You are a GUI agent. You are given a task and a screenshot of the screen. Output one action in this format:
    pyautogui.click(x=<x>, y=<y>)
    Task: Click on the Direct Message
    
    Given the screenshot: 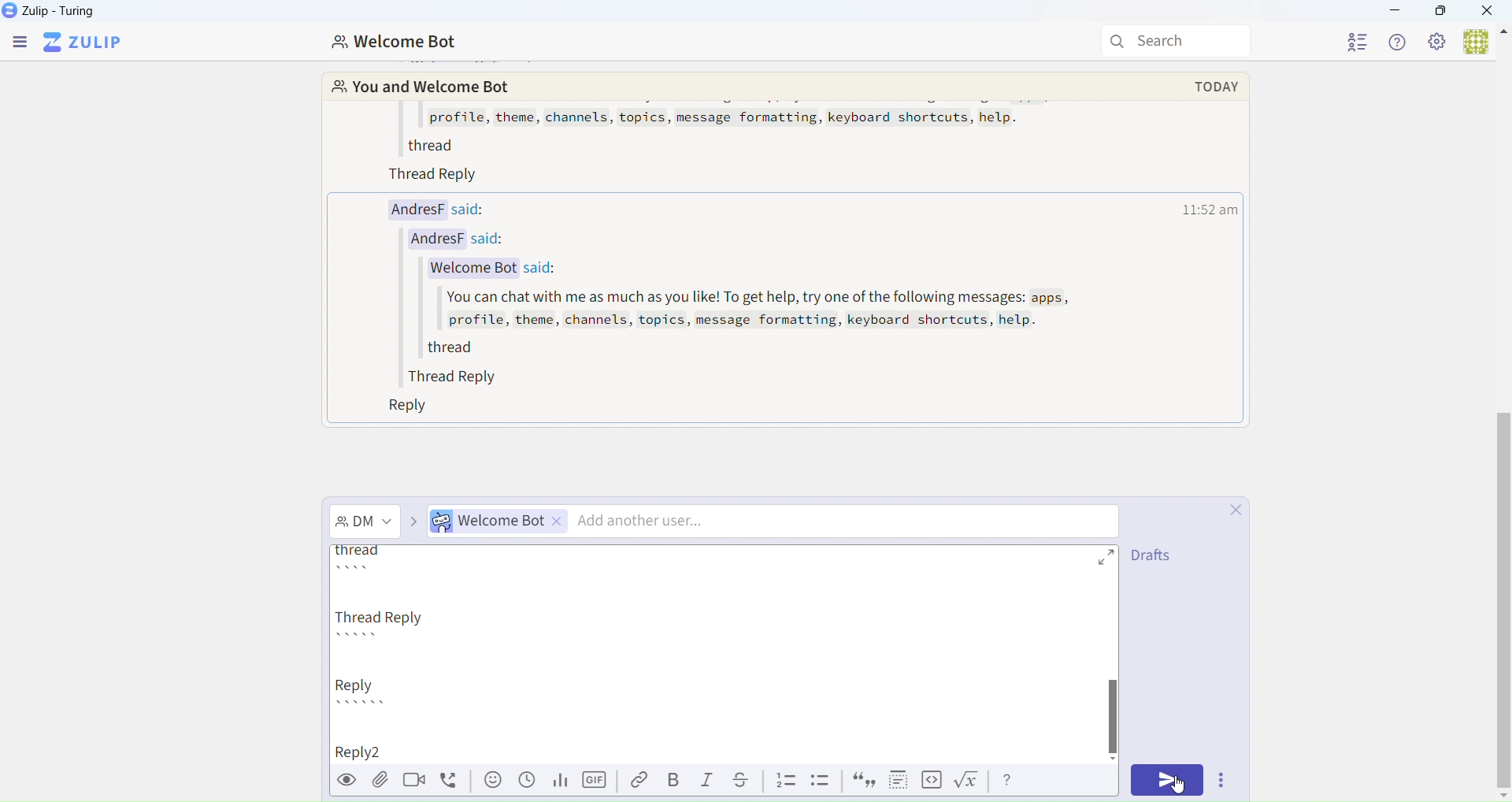 What is the action you would take?
    pyautogui.click(x=369, y=519)
    